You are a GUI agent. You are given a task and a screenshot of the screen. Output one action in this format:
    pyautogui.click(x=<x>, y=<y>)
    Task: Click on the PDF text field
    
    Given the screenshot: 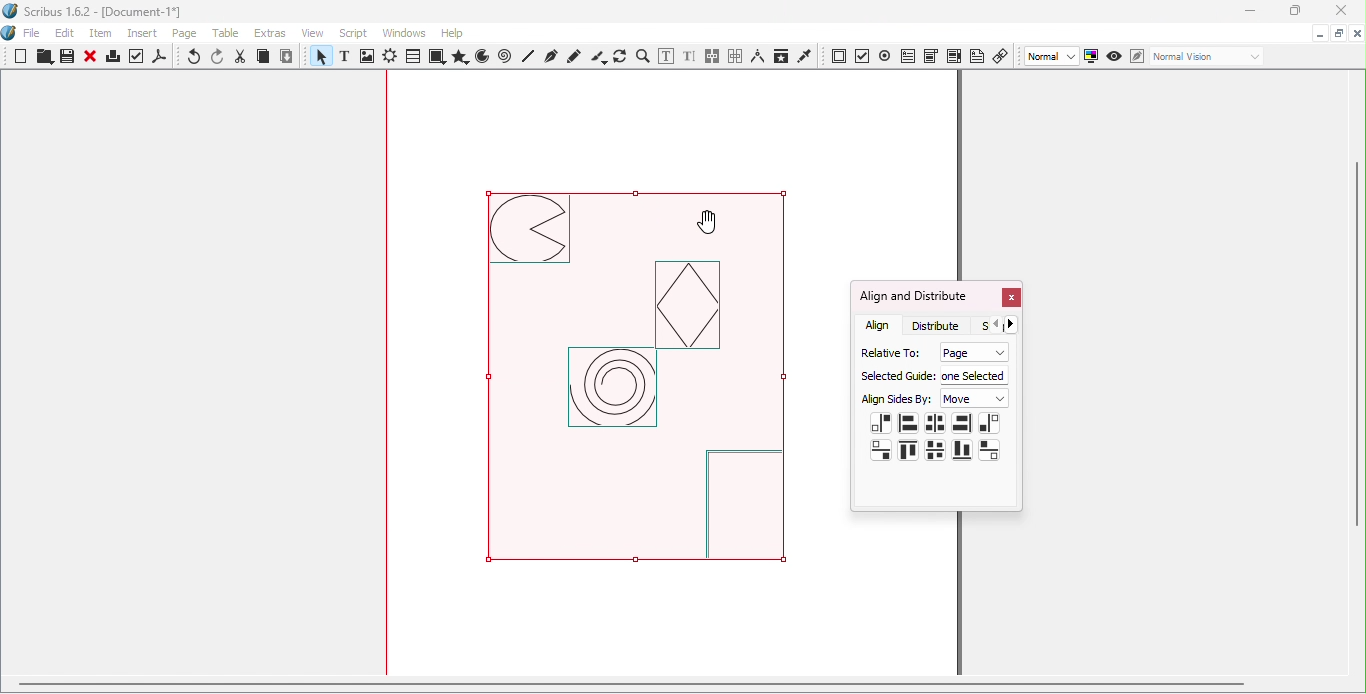 What is the action you would take?
    pyautogui.click(x=907, y=54)
    